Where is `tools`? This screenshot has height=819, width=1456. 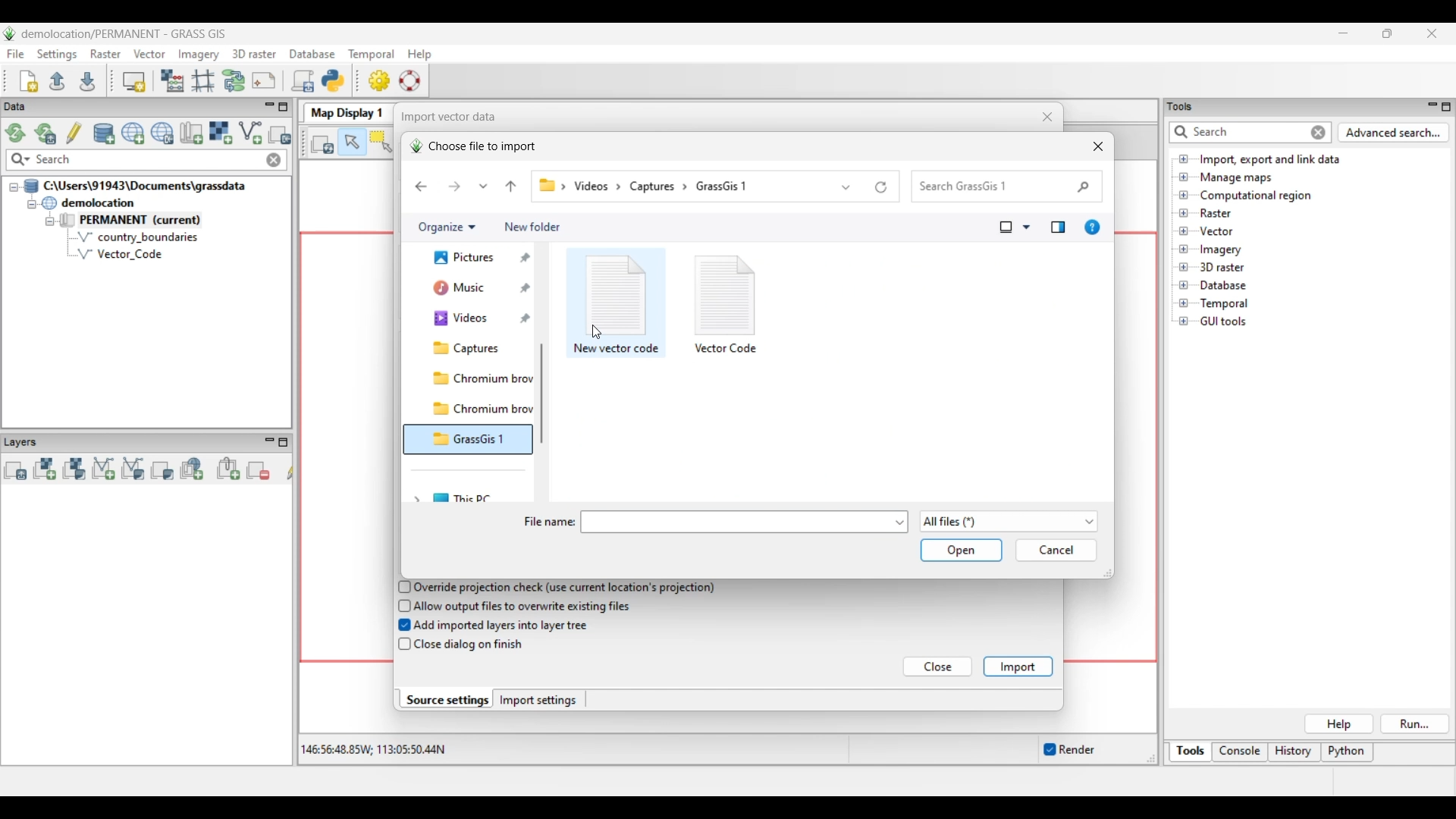 tools is located at coordinates (1185, 105).